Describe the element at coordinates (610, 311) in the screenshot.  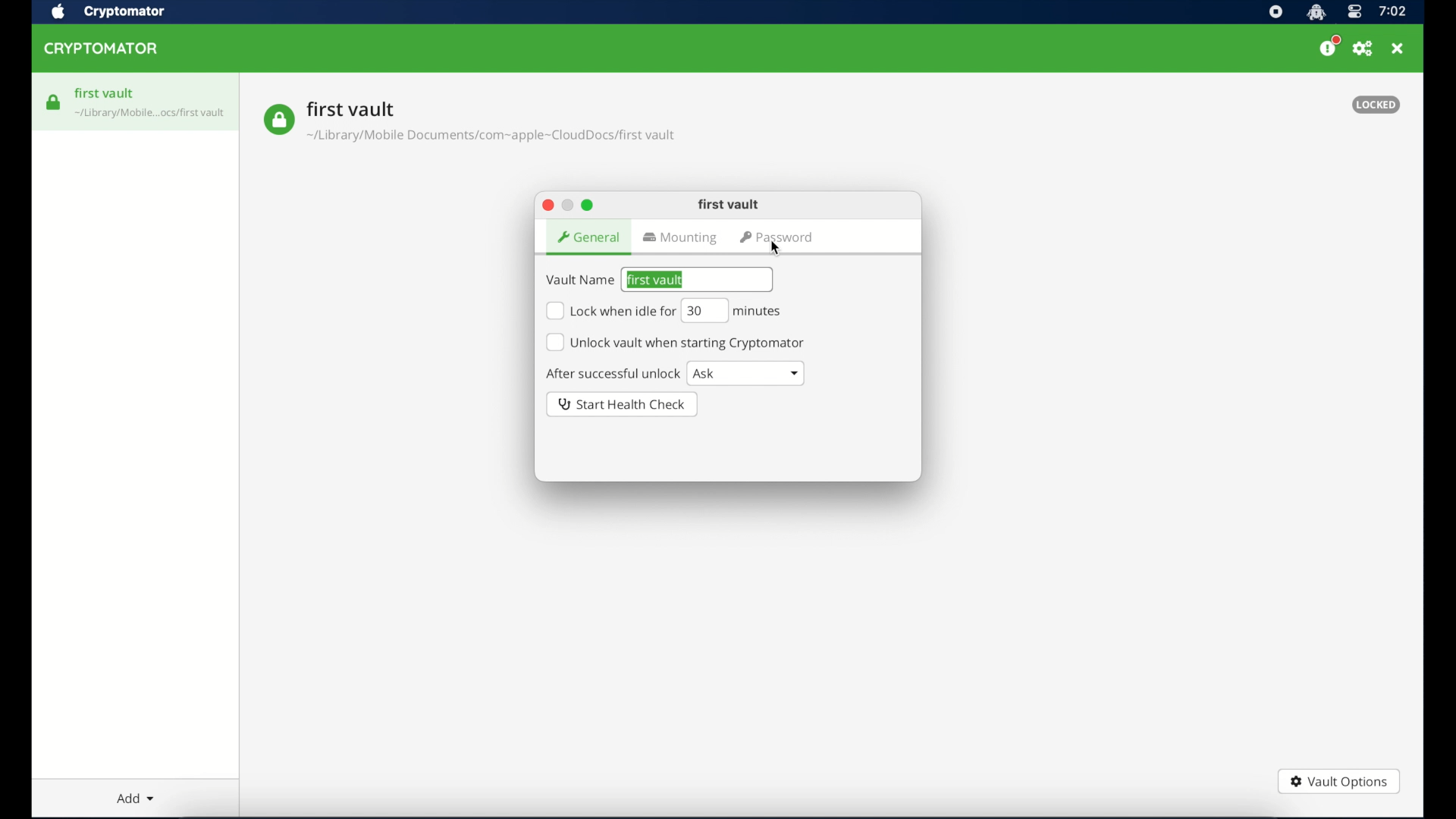
I see `lock when idle for checkbox` at that location.